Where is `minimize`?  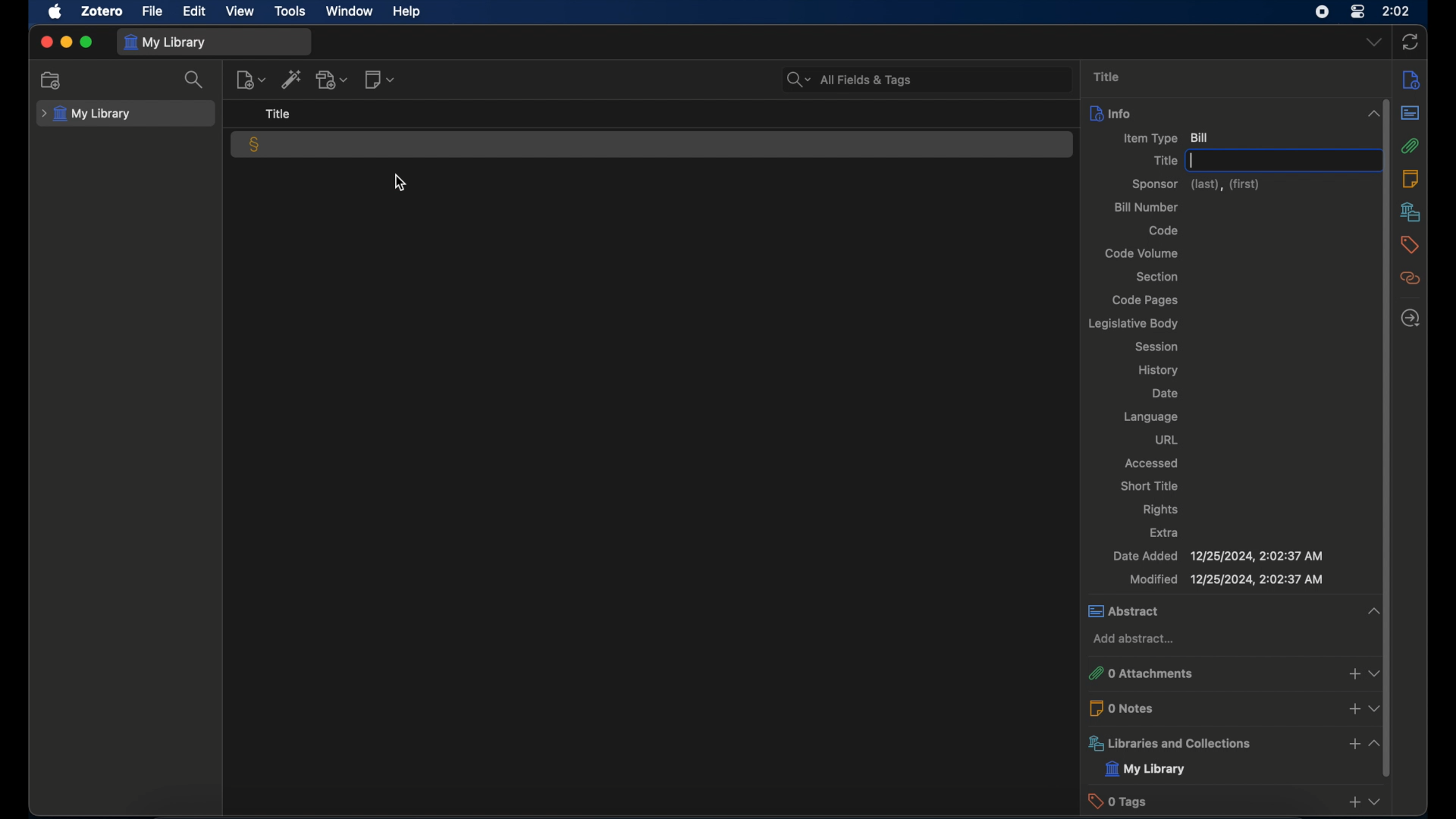 minimize is located at coordinates (68, 42).